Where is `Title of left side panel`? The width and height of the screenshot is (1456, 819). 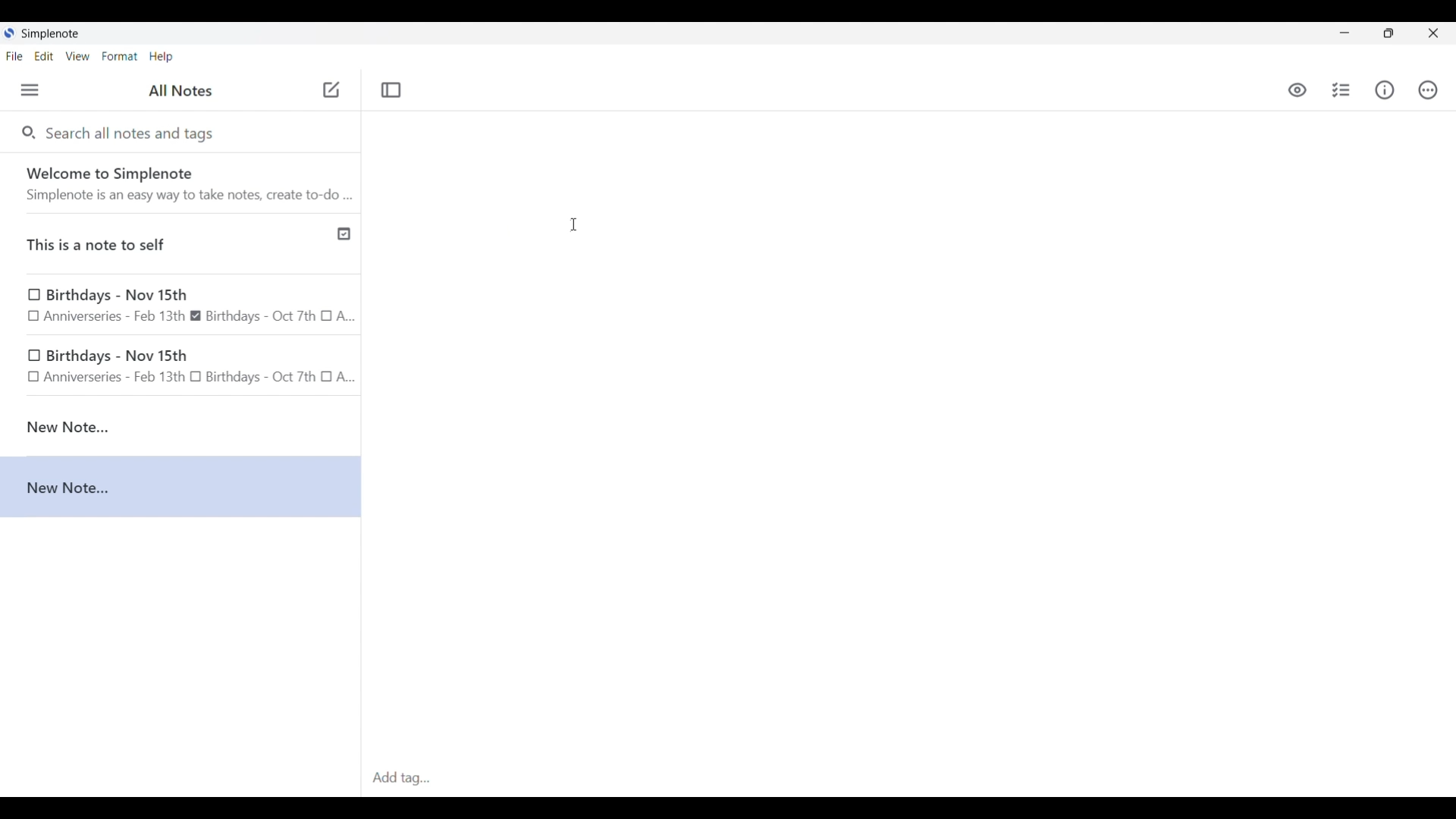
Title of left side panel is located at coordinates (180, 91).